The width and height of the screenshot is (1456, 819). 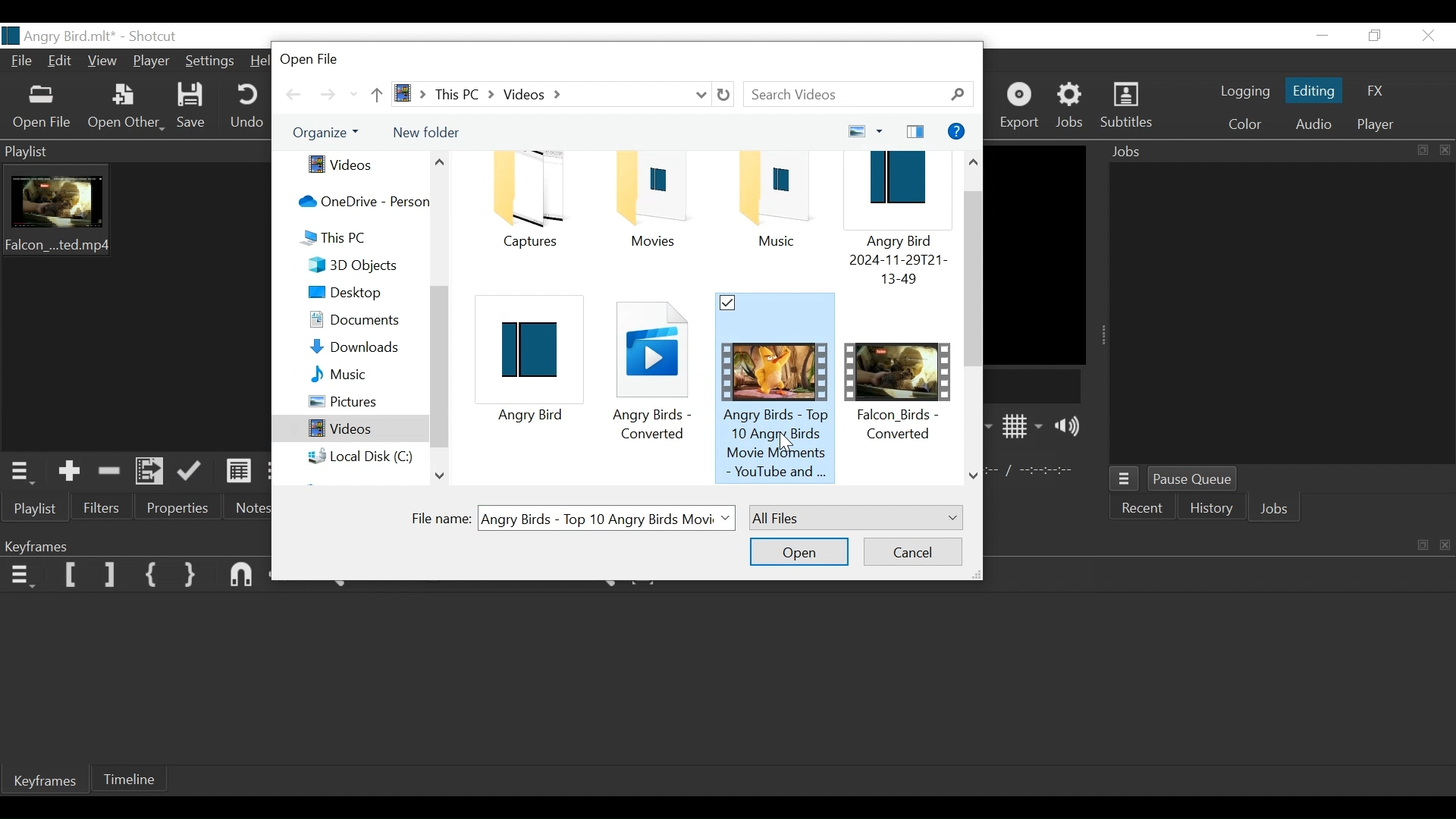 I want to click on Properties, so click(x=177, y=507).